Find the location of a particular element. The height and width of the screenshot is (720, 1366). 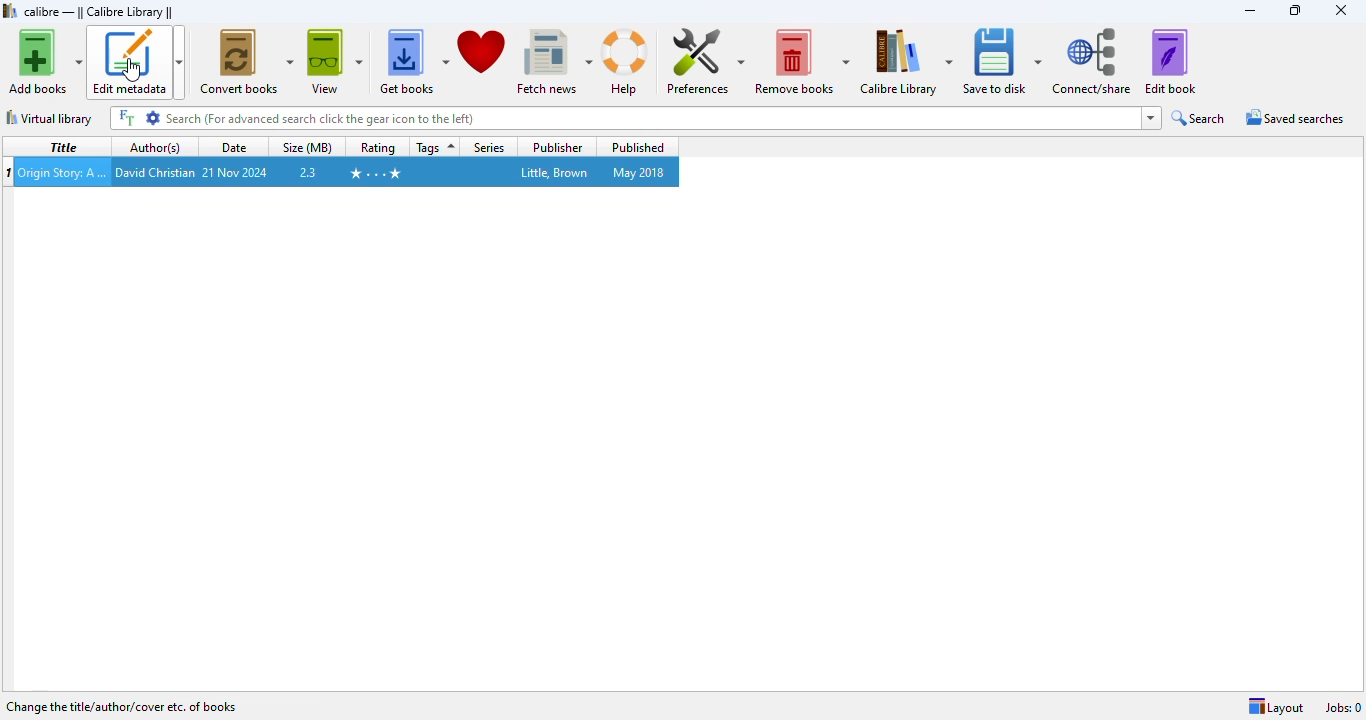

close is located at coordinates (1342, 10).